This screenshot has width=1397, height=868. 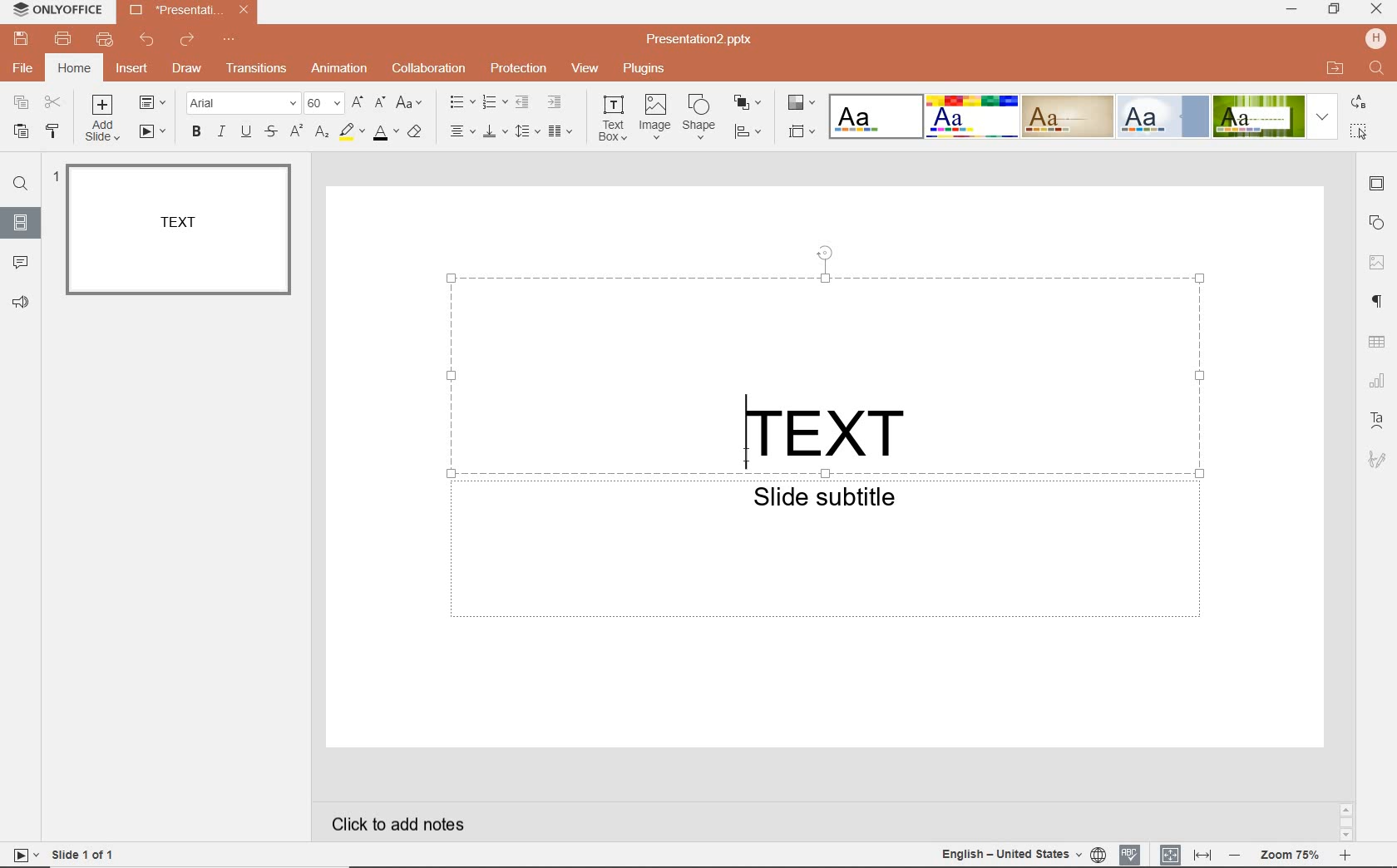 What do you see at coordinates (349, 133) in the screenshot?
I see `HIGHLIGHT COLOR` at bounding box center [349, 133].